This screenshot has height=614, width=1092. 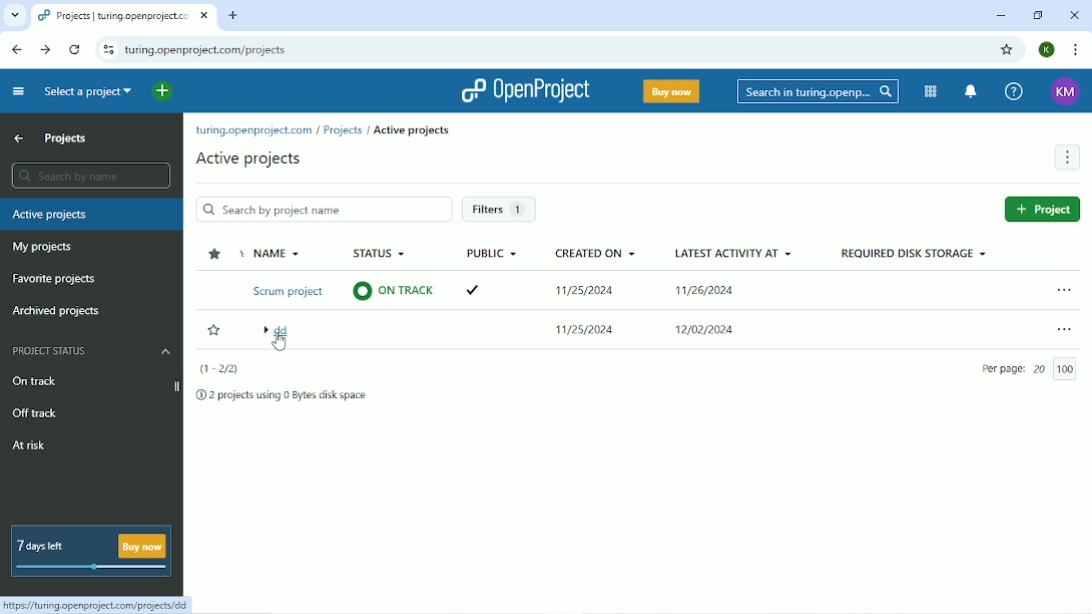 What do you see at coordinates (1033, 369) in the screenshot?
I see `Per page` at bounding box center [1033, 369].